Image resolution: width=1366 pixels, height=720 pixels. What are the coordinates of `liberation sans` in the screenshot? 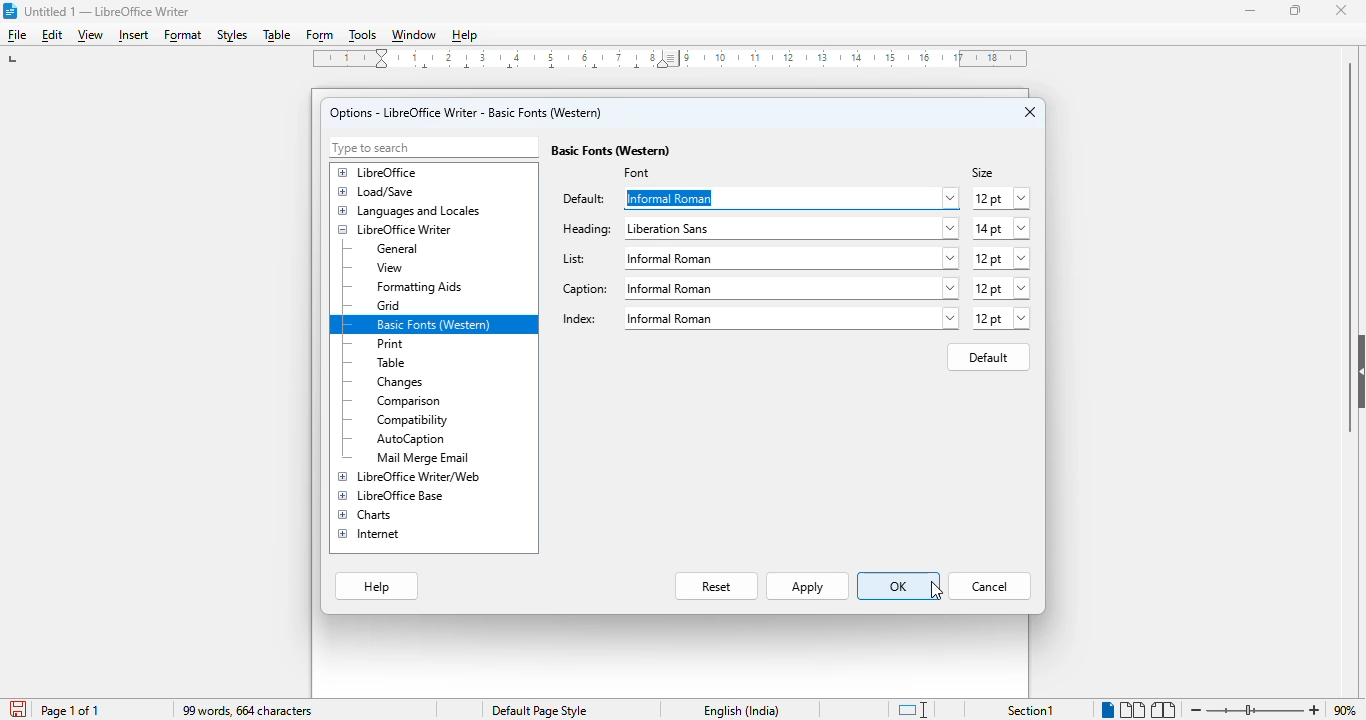 It's located at (791, 319).